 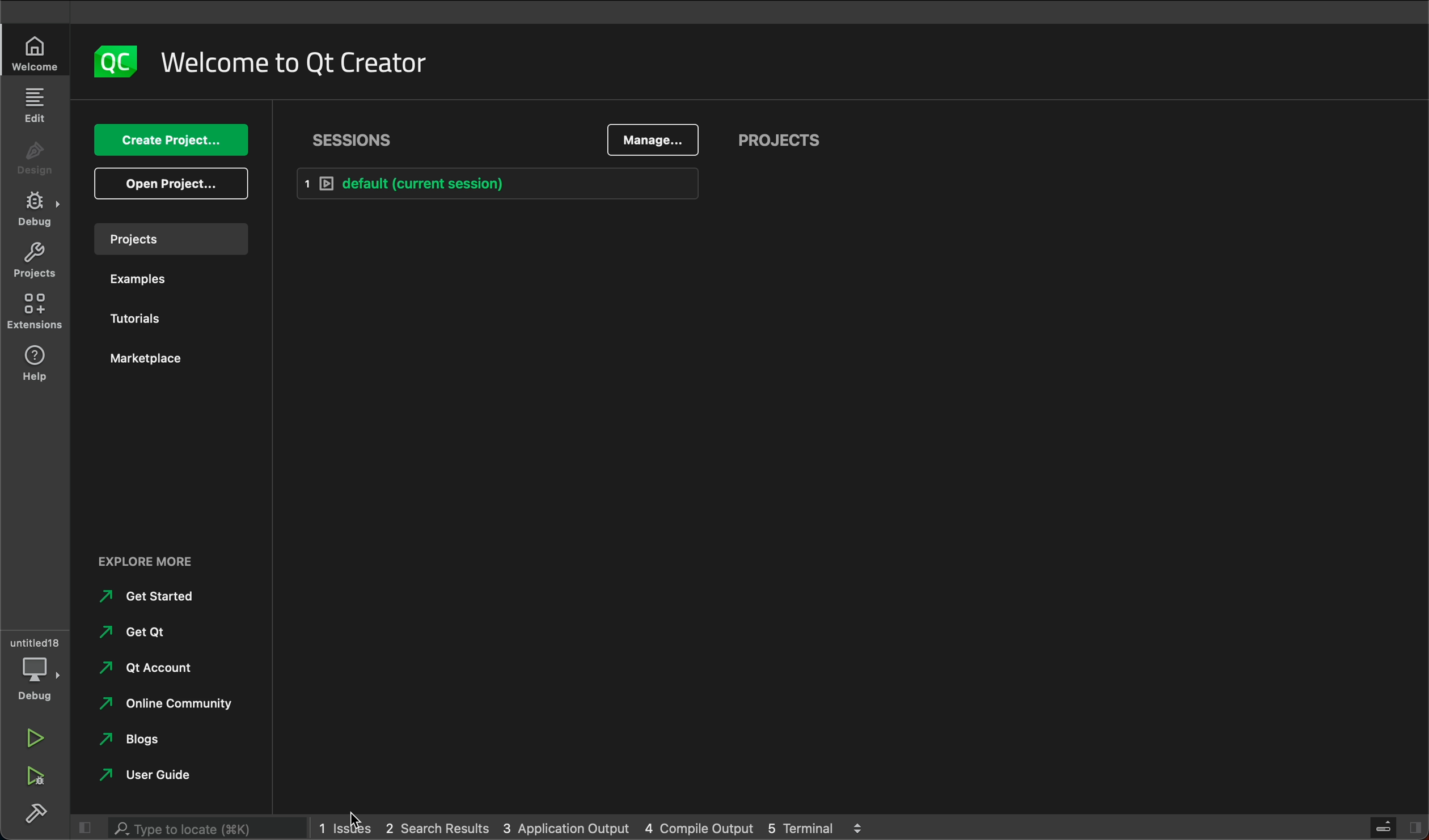 What do you see at coordinates (138, 740) in the screenshot?
I see `blogs` at bounding box center [138, 740].